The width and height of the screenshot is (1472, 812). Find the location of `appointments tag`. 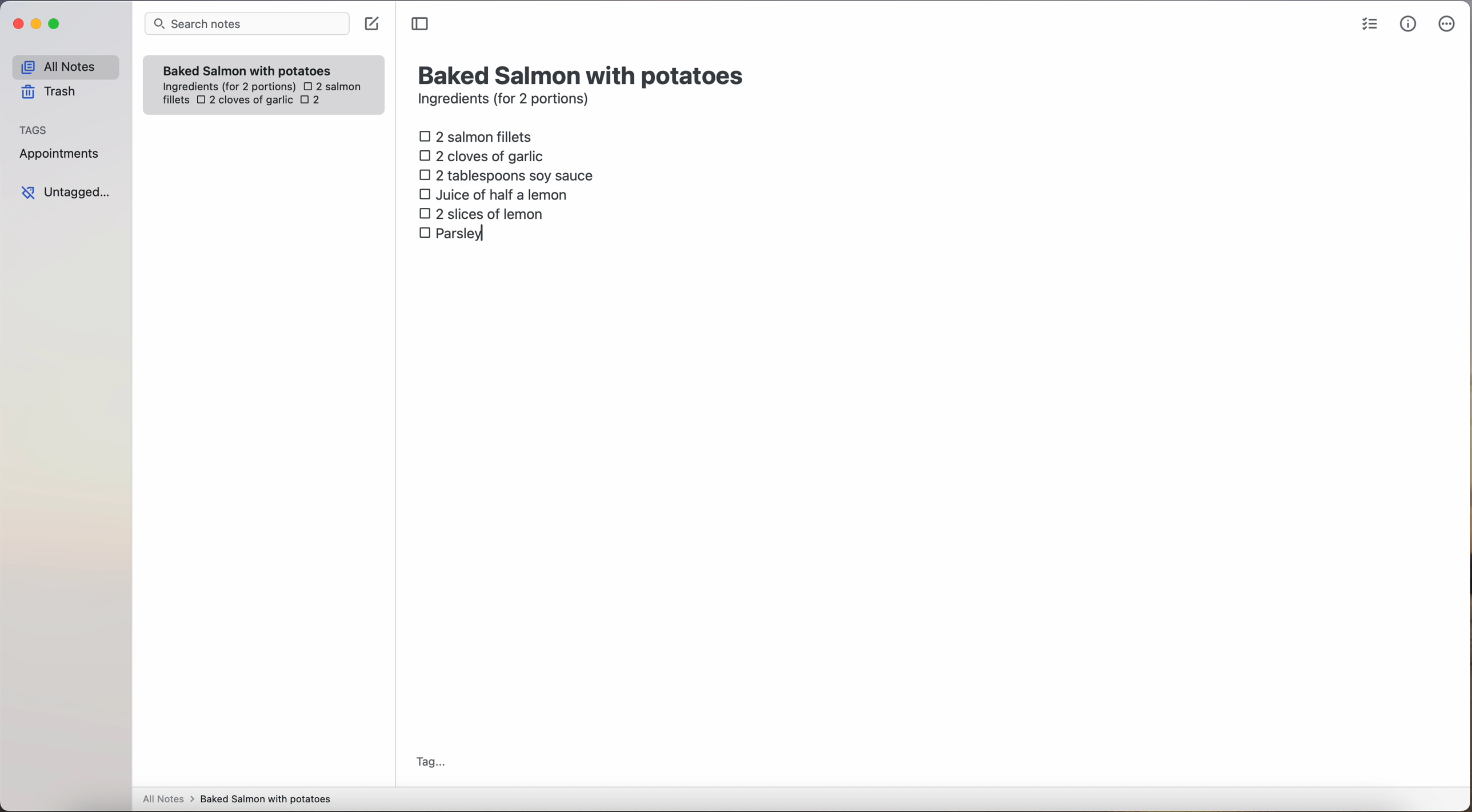

appointments tag is located at coordinates (61, 151).